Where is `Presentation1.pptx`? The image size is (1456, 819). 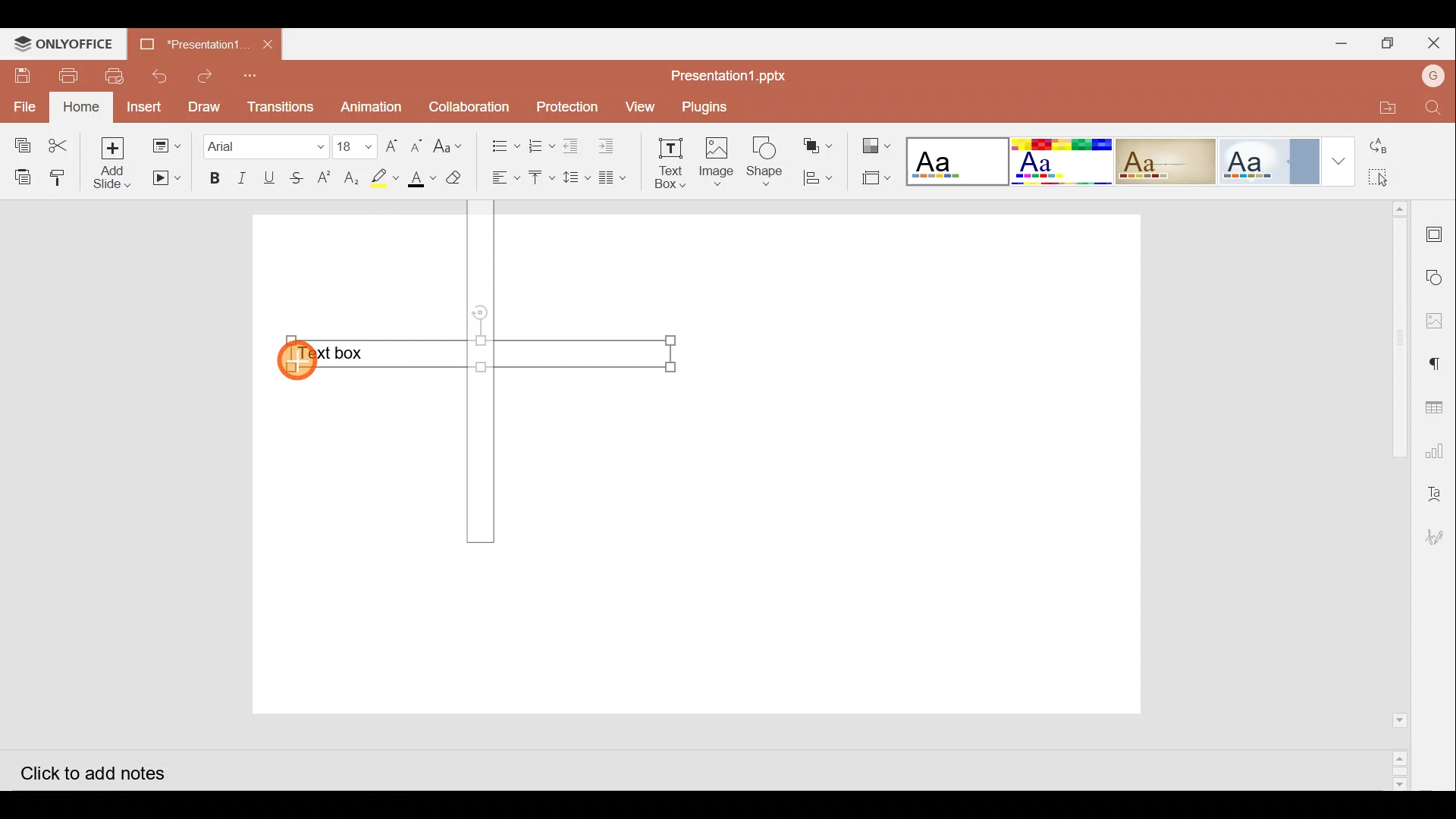
Presentation1.pptx is located at coordinates (733, 74).